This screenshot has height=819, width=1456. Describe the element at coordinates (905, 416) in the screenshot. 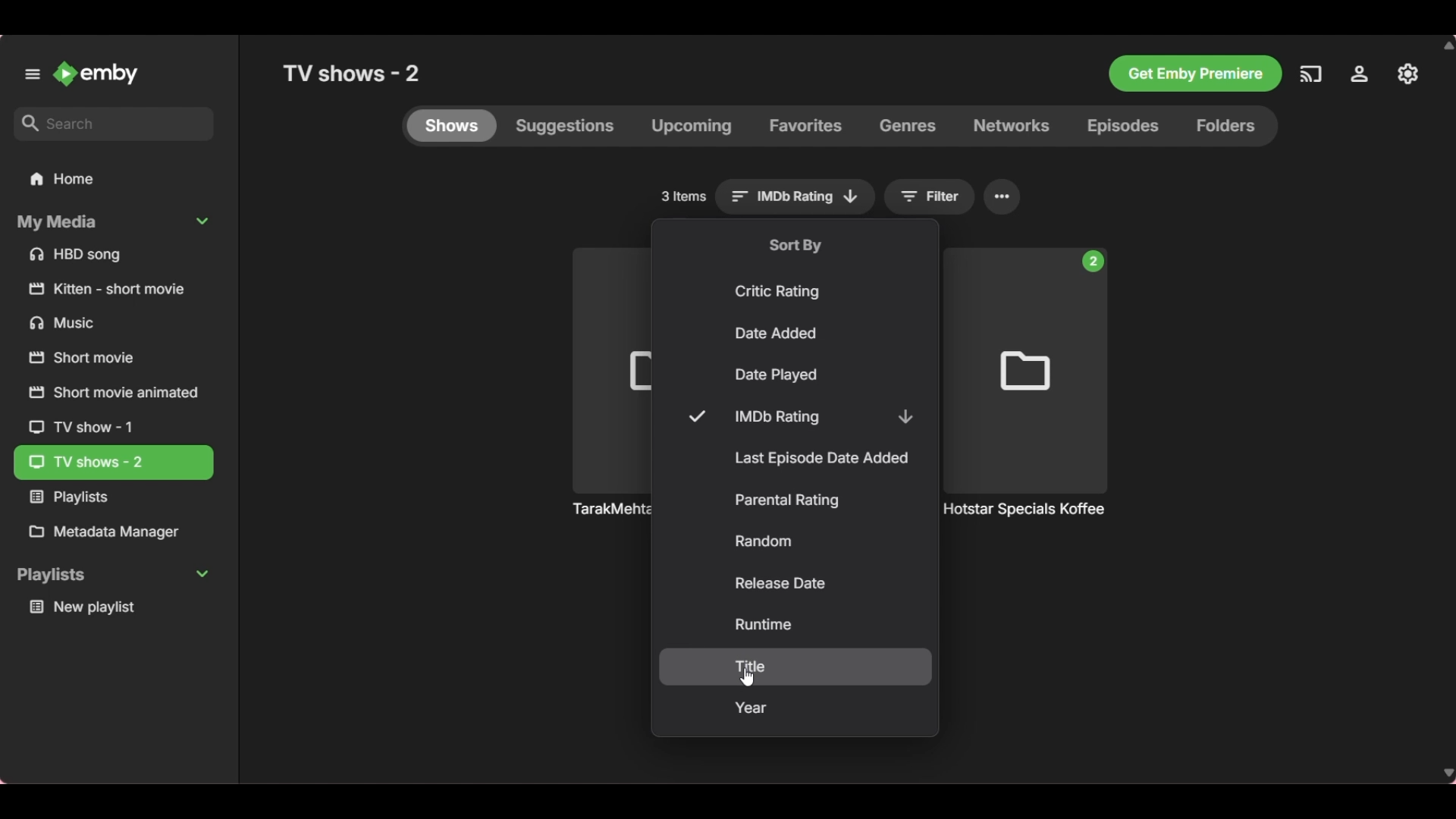

I see `Sort order` at that location.